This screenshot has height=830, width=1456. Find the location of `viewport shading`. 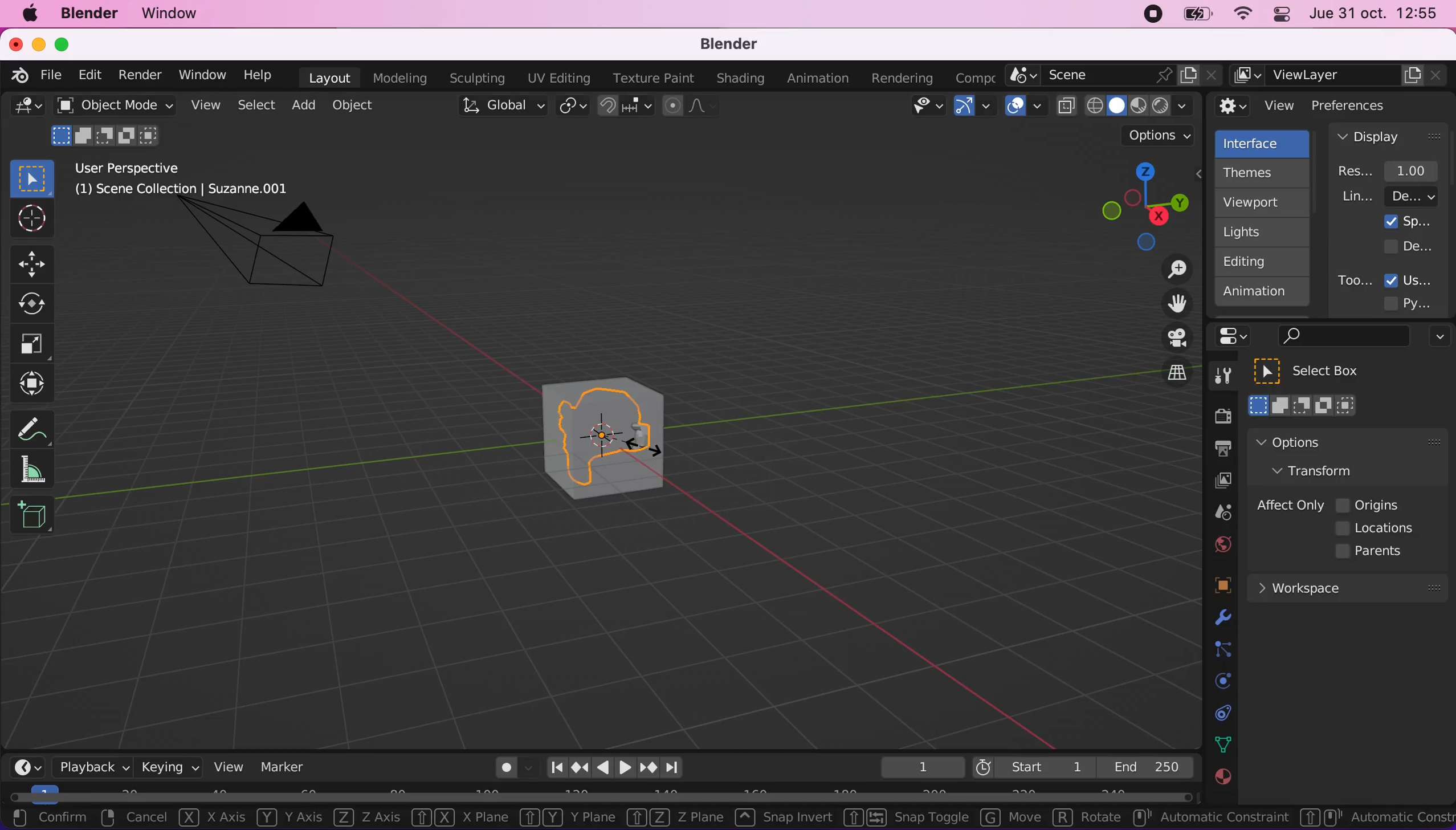

viewport shading is located at coordinates (1128, 105).